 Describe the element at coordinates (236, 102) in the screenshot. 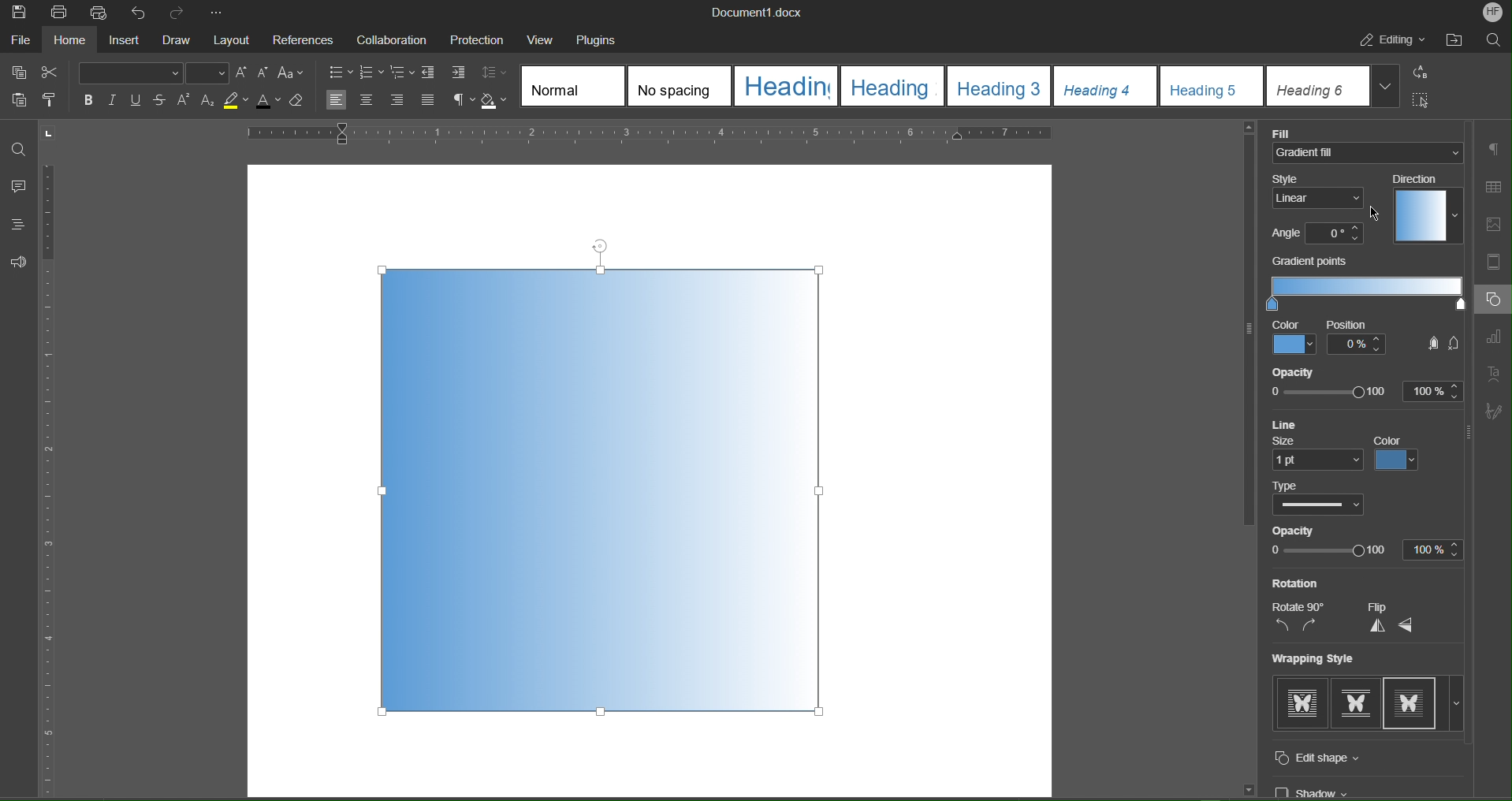

I see `Highlight` at that location.